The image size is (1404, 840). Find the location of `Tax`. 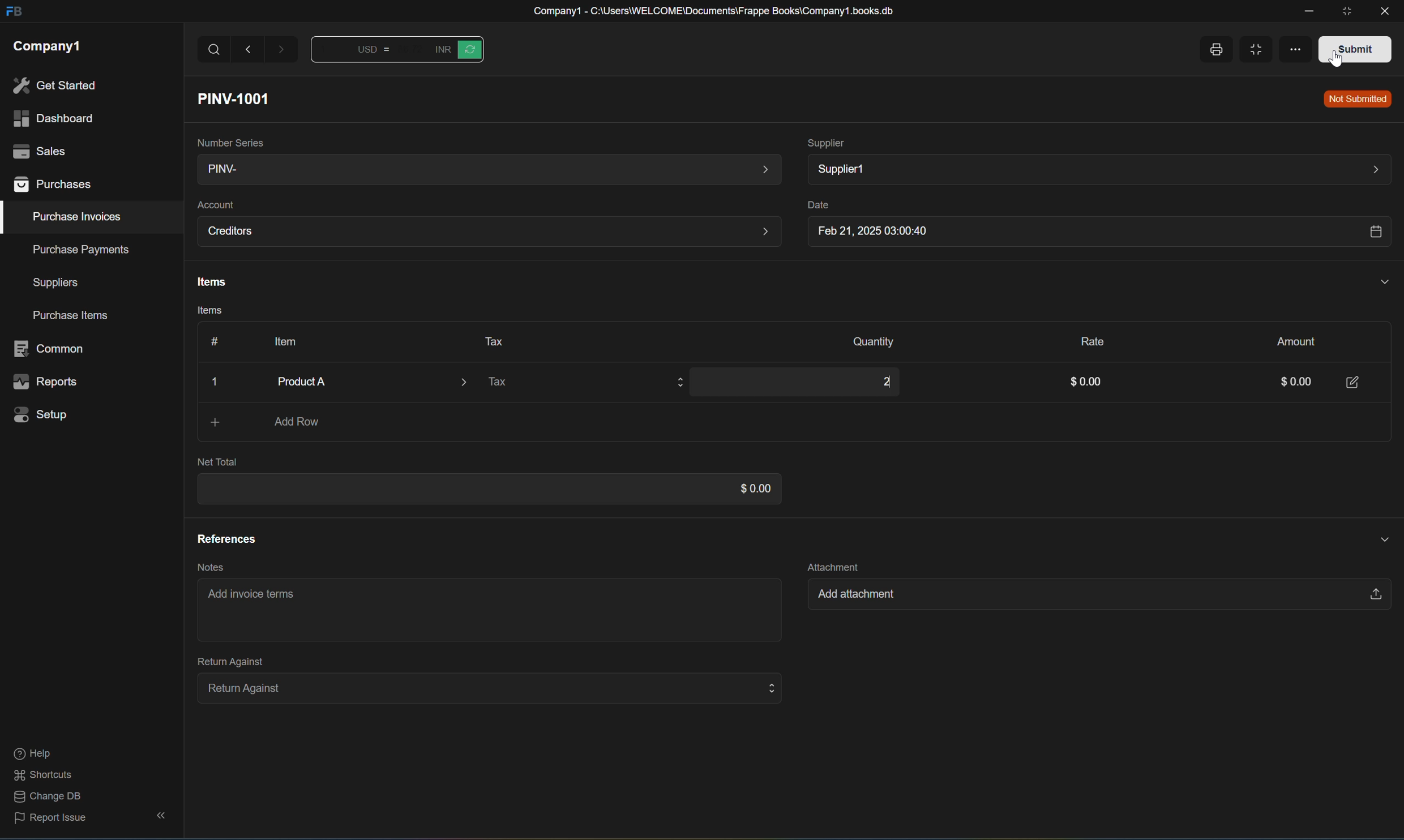

Tax is located at coordinates (584, 384).